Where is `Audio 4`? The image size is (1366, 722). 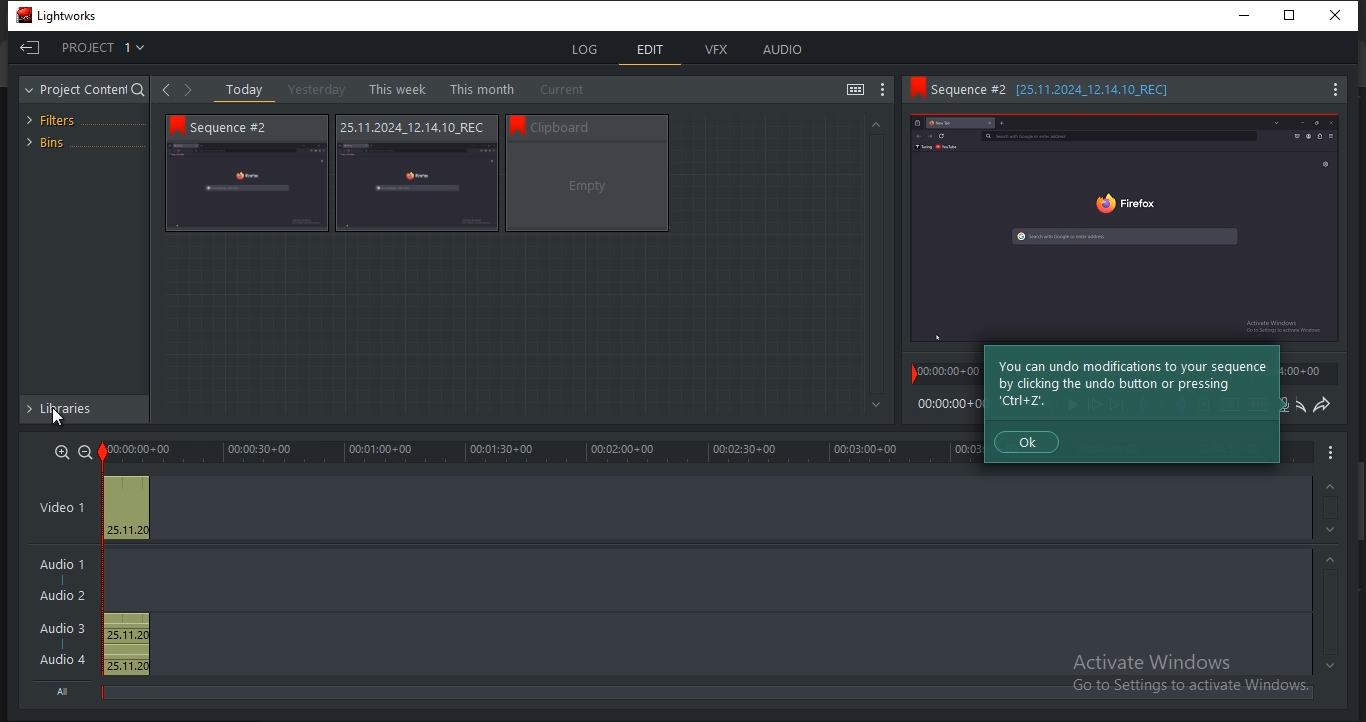 Audio 4 is located at coordinates (65, 660).